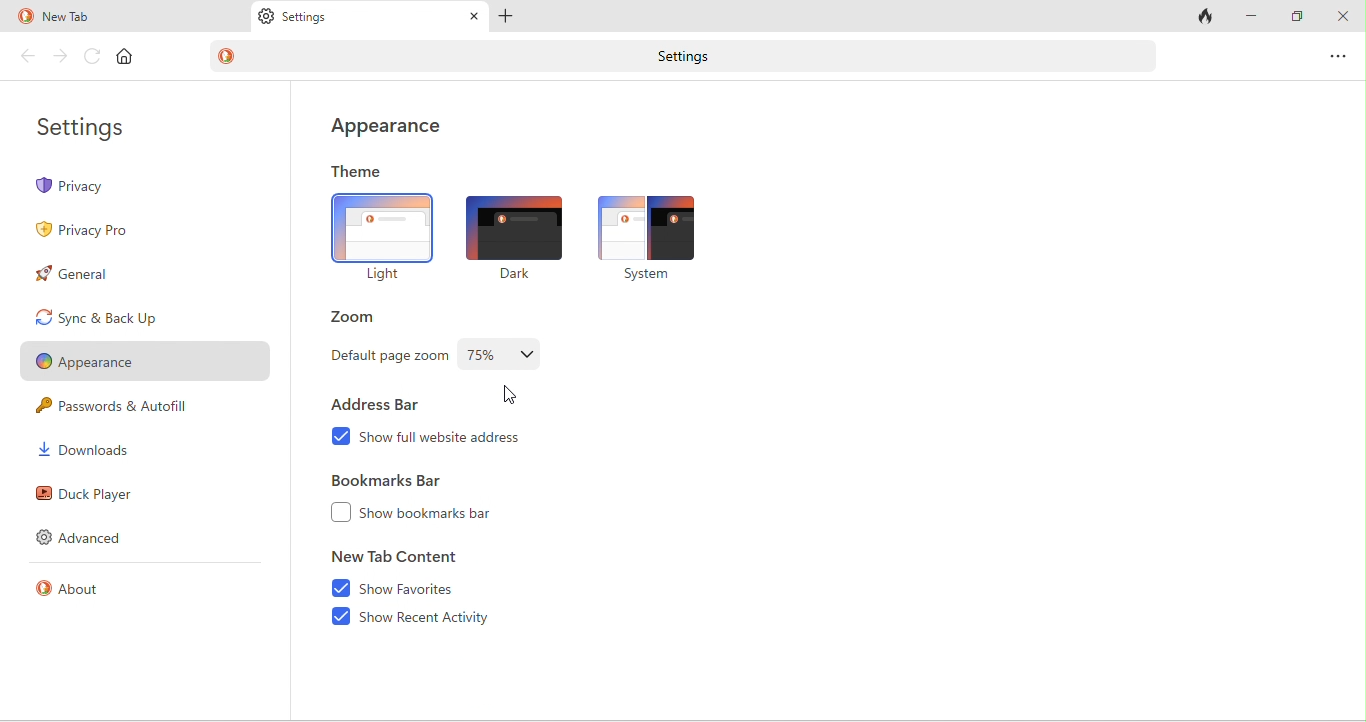 The image size is (1366, 722). What do you see at coordinates (381, 403) in the screenshot?
I see `address bar` at bounding box center [381, 403].